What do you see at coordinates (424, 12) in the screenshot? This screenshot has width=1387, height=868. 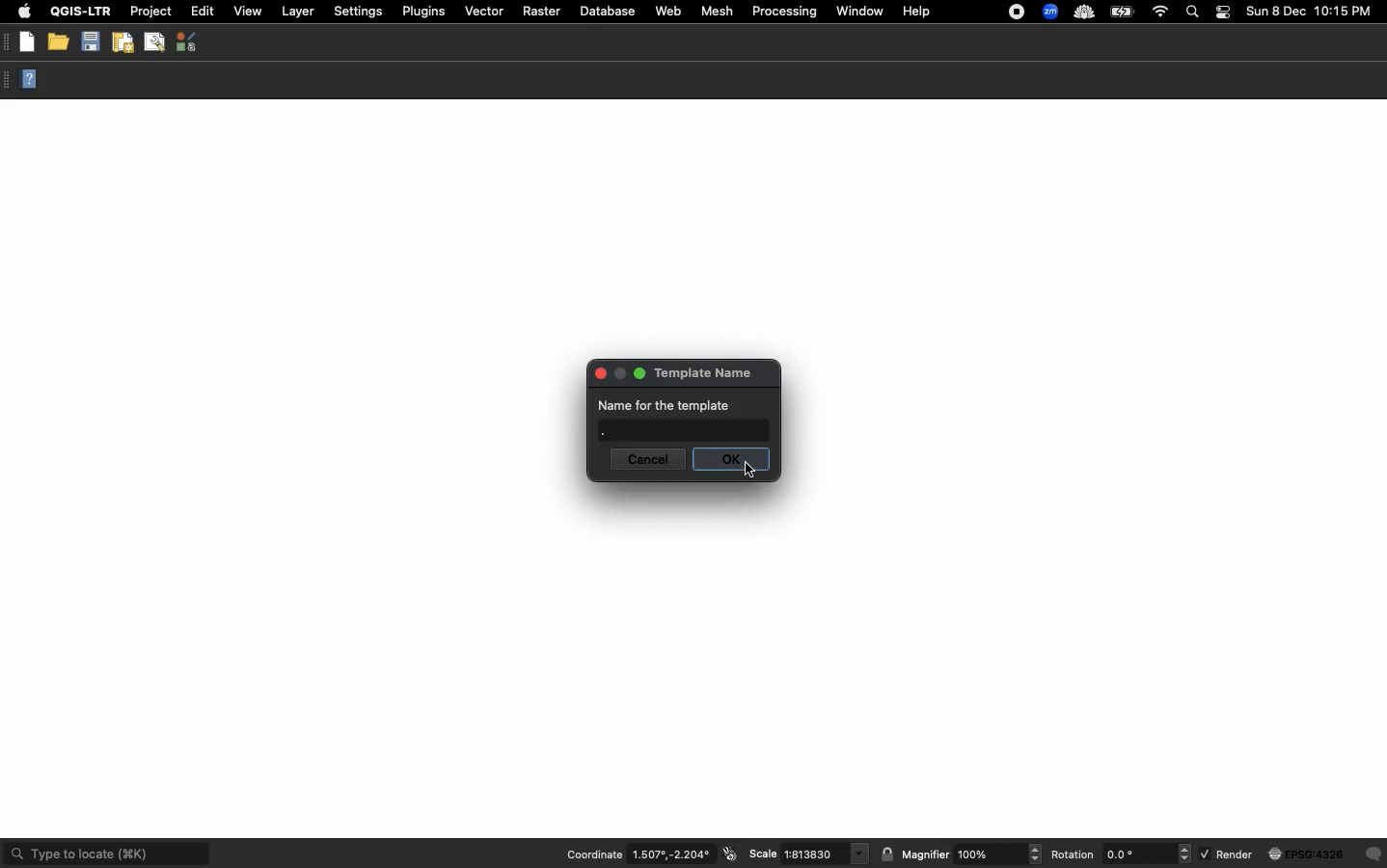 I see `Plugins` at bounding box center [424, 12].